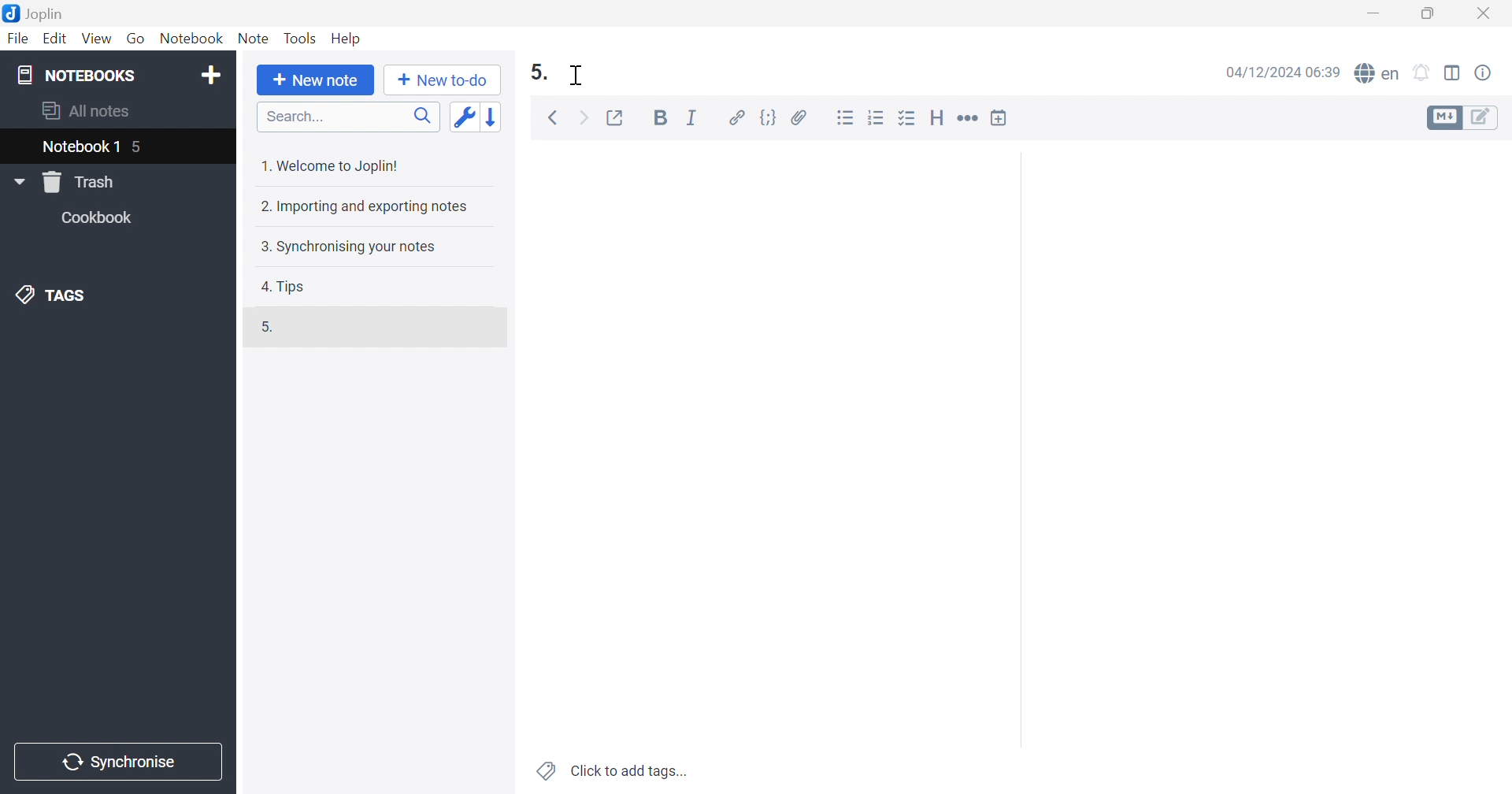 The width and height of the screenshot is (1512, 794). What do you see at coordinates (1003, 117) in the screenshot?
I see `Insert time` at bounding box center [1003, 117].